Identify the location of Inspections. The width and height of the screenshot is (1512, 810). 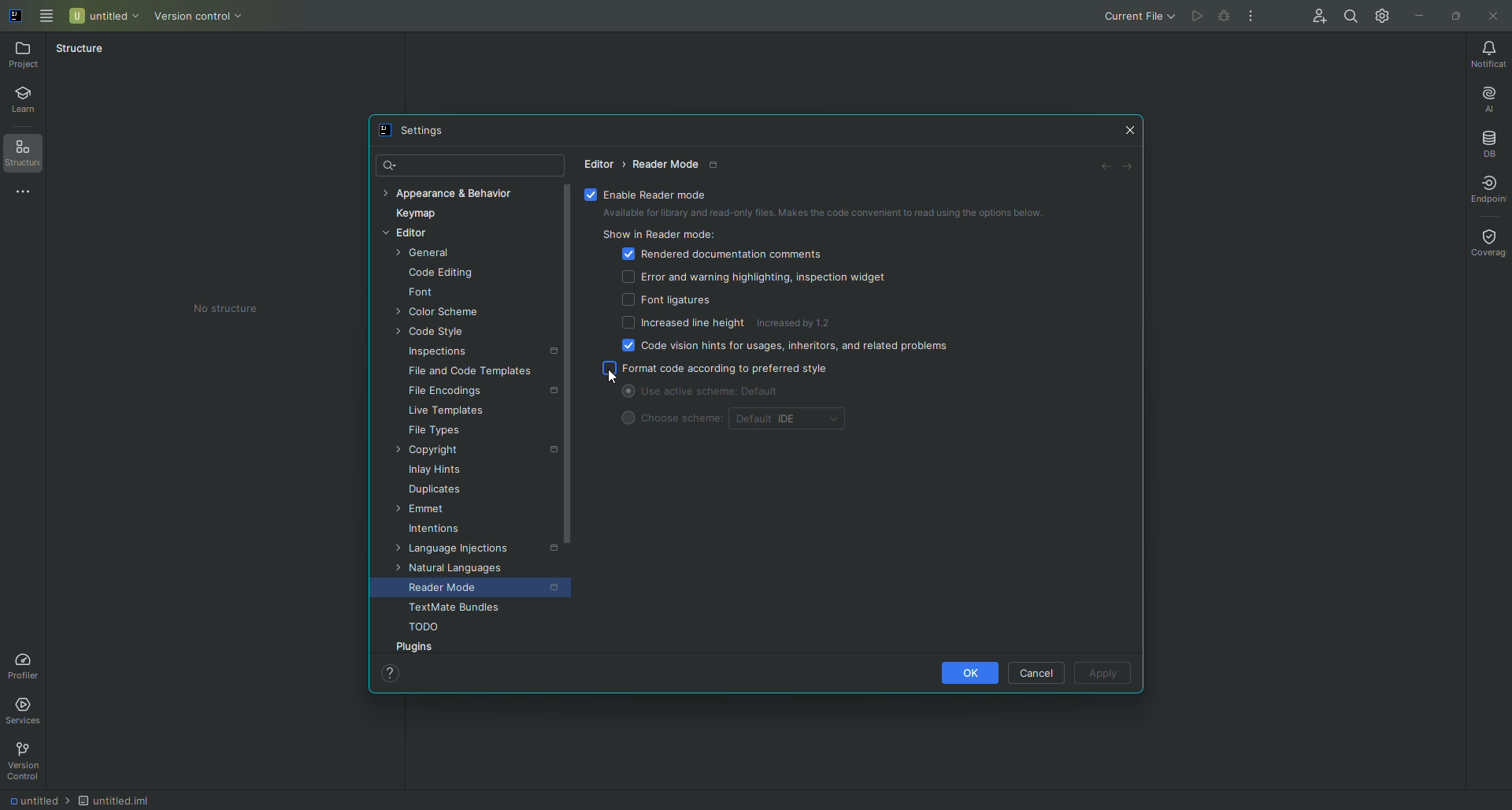
(477, 352).